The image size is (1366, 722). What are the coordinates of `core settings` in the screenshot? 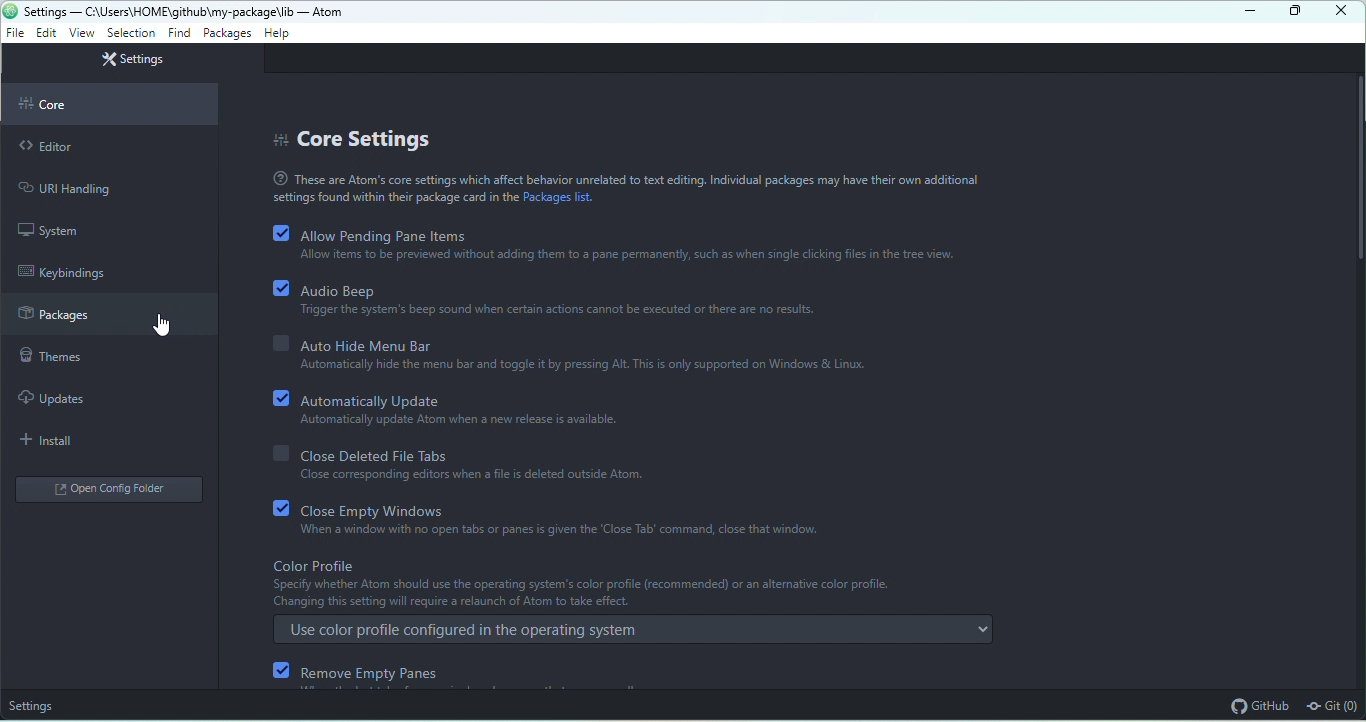 It's located at (358, 138).